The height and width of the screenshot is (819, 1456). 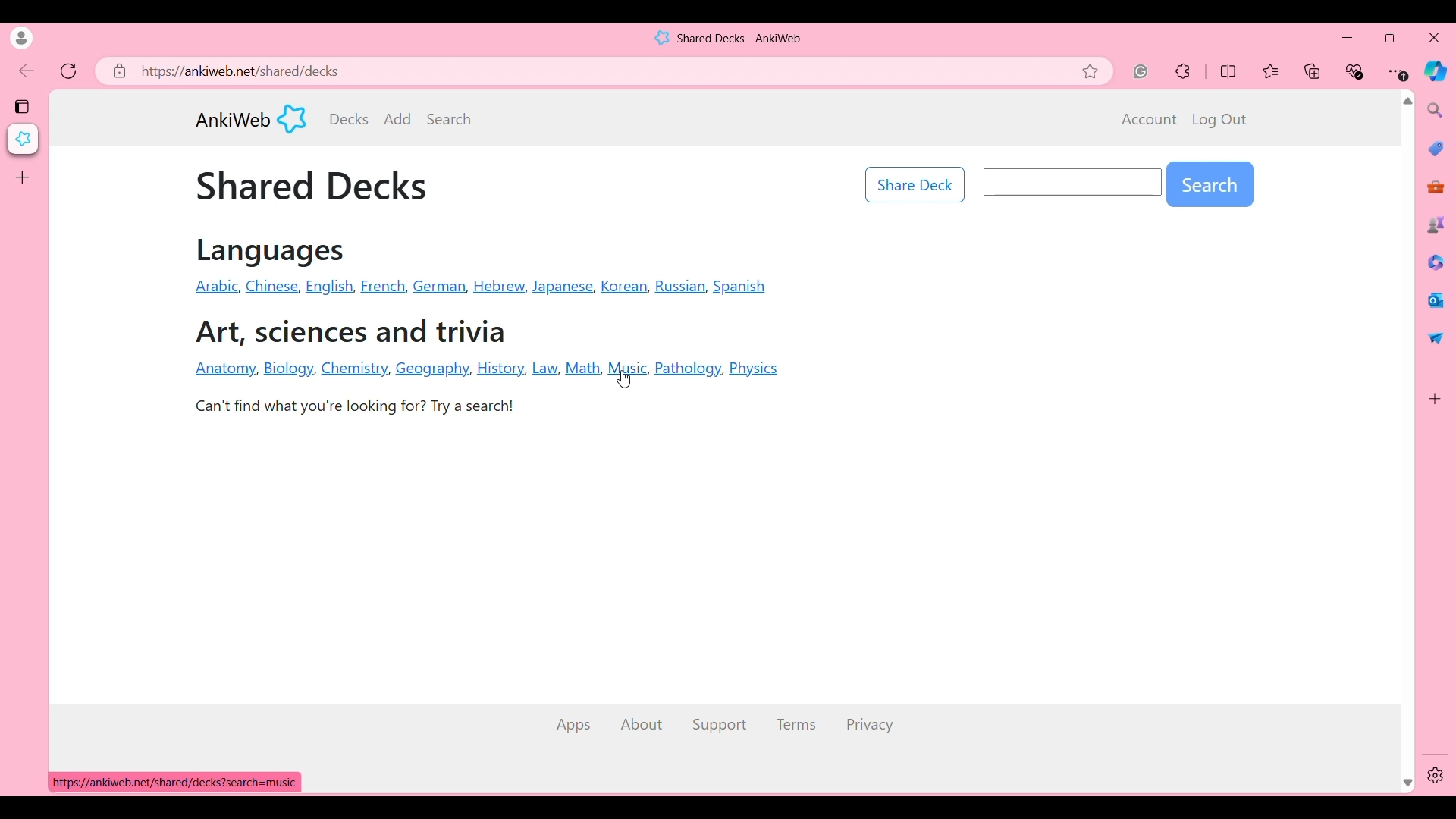 I want to click on Can't find what you're looking for? Try a search!, so click(x=361, y=407).